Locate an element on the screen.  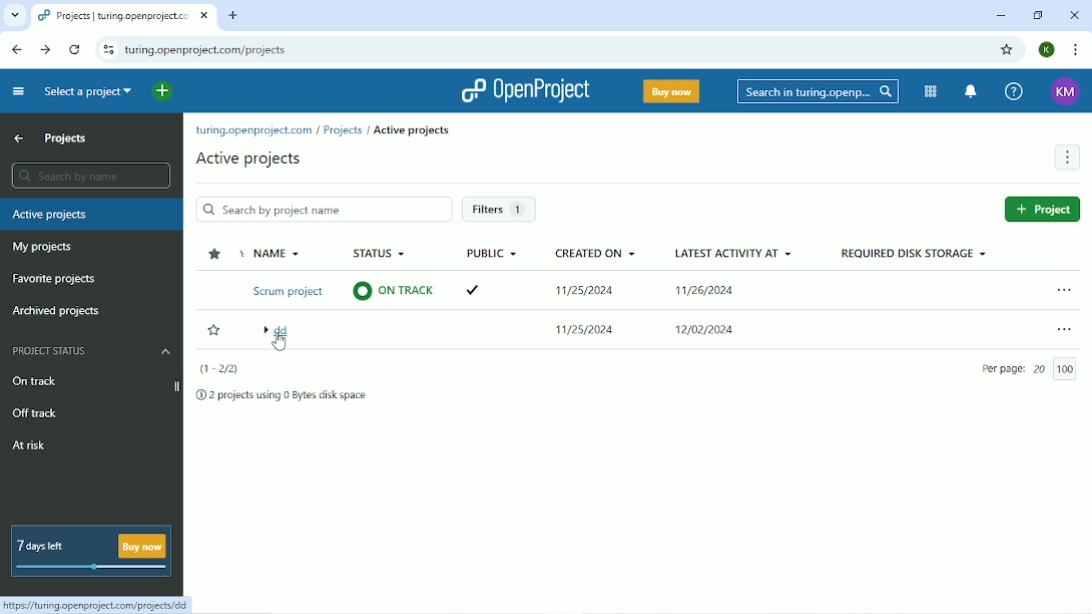
Close is located at coordinates (1074, 15).